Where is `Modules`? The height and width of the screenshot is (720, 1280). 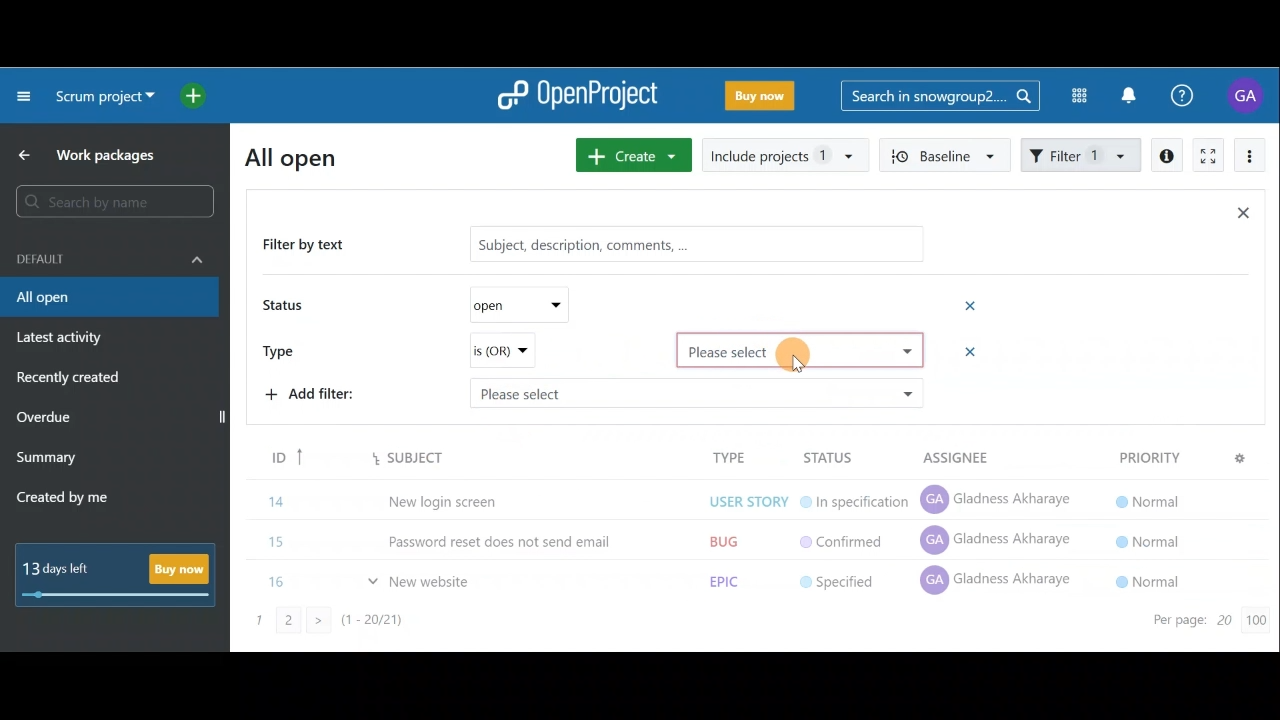 Modules is located at coordinates (1073, 96).